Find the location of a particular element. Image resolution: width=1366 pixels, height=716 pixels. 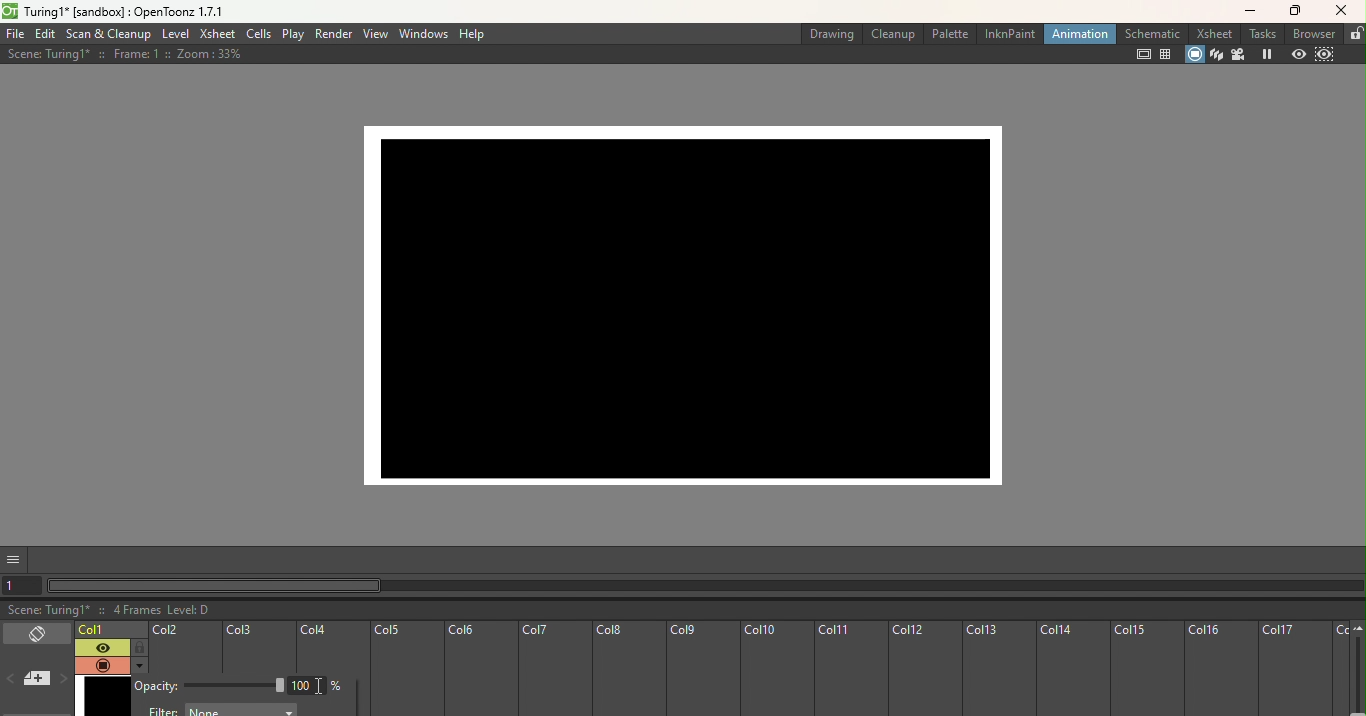

Help is located at coordinates (473, 34).